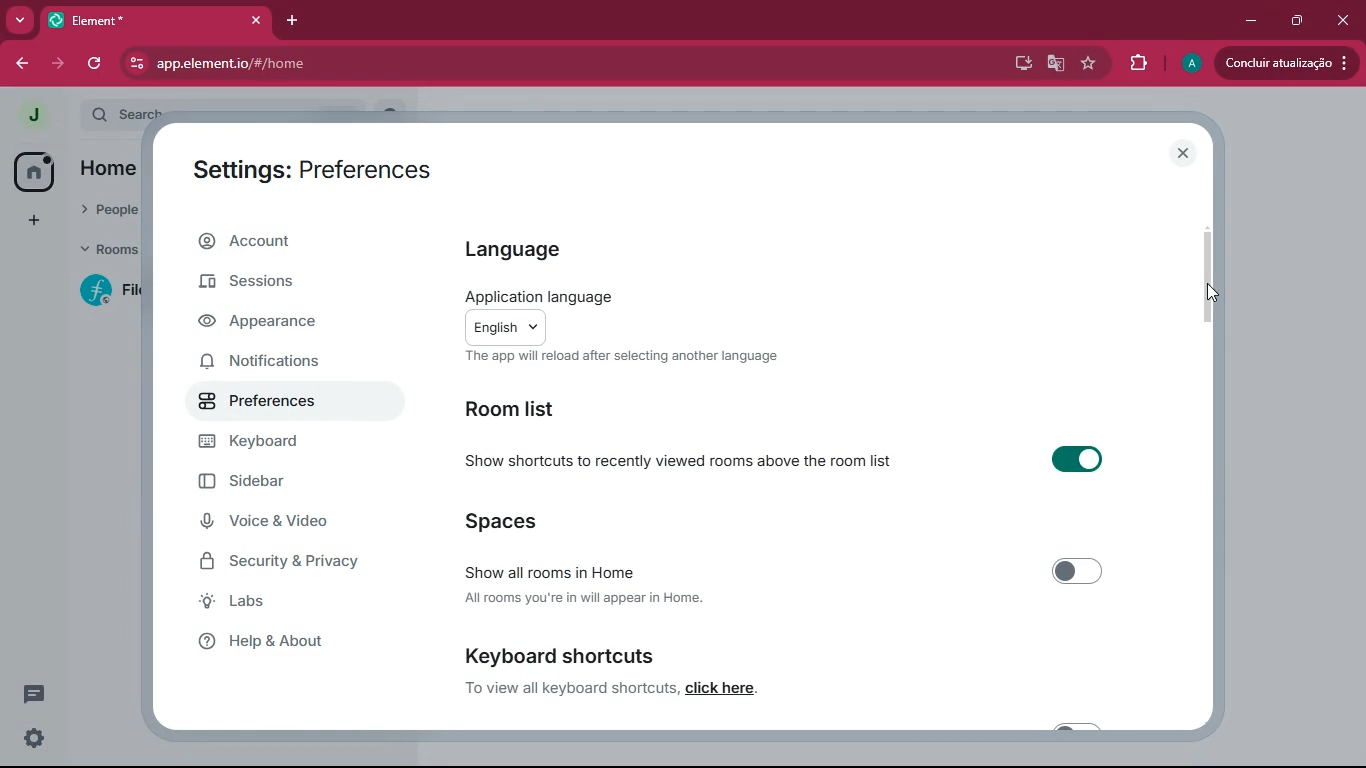 The image size is (1366, 768). What do you see at coordinates (275, 325) in the screenshot?
I see `appearance` at bounding box center [275, 325].